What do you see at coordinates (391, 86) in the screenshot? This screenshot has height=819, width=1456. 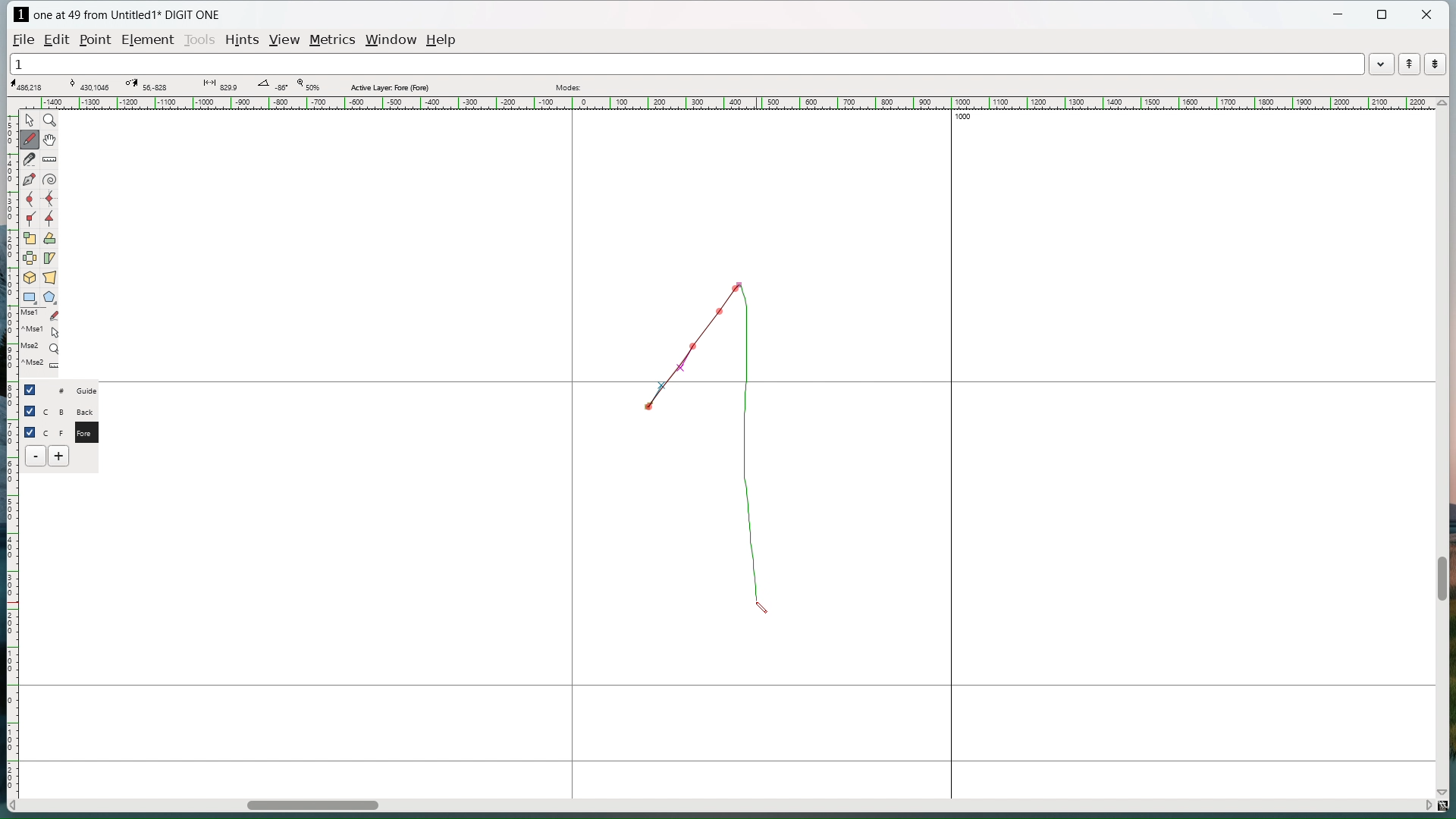 I see `Active layer fore` at bounding box center [391, 86].